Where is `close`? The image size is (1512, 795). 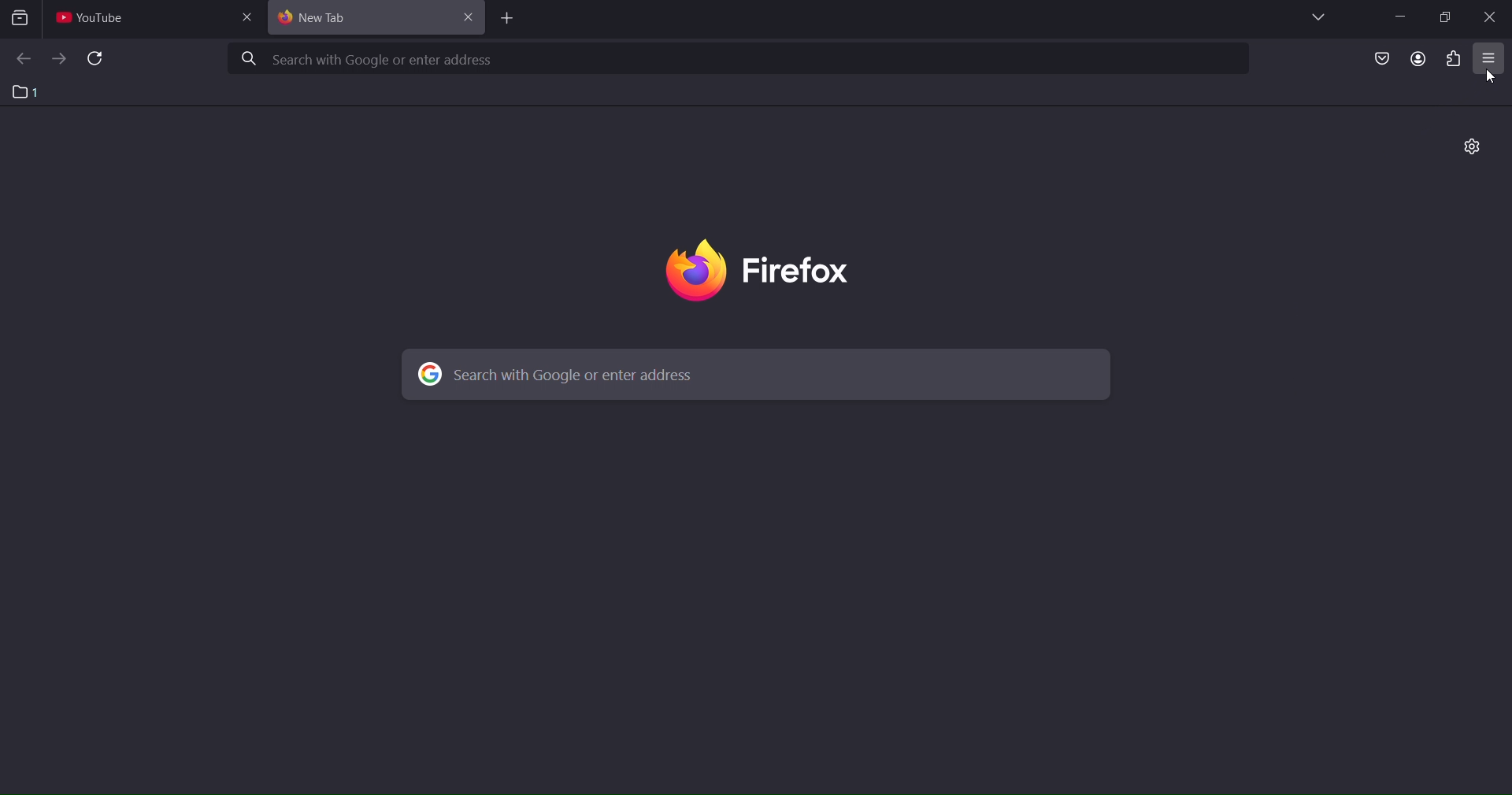
close is located at coordinates (1490, 19).